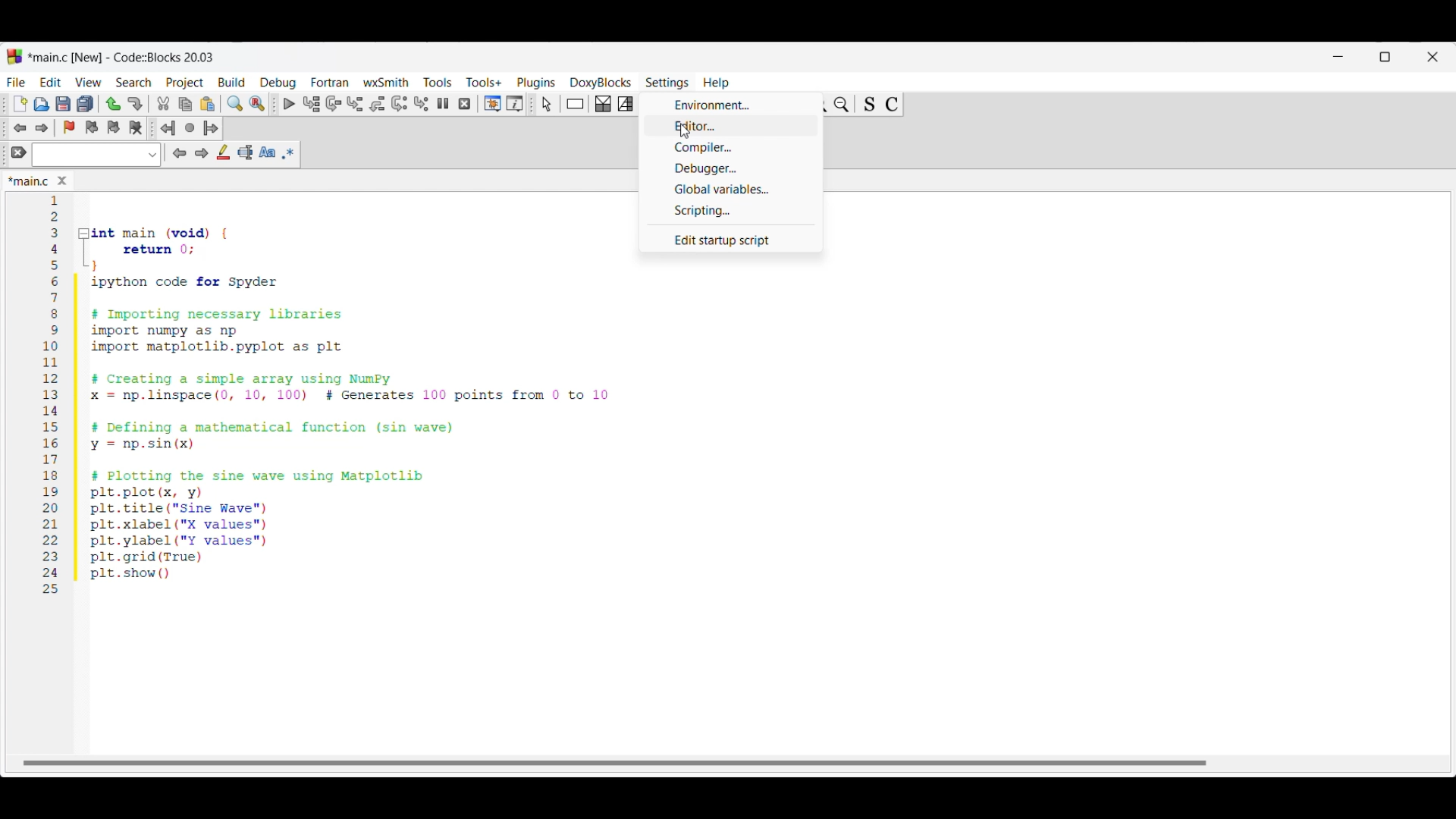 This screenshot has width=1456, height=819. I want to click on Open, so click(42, 104).